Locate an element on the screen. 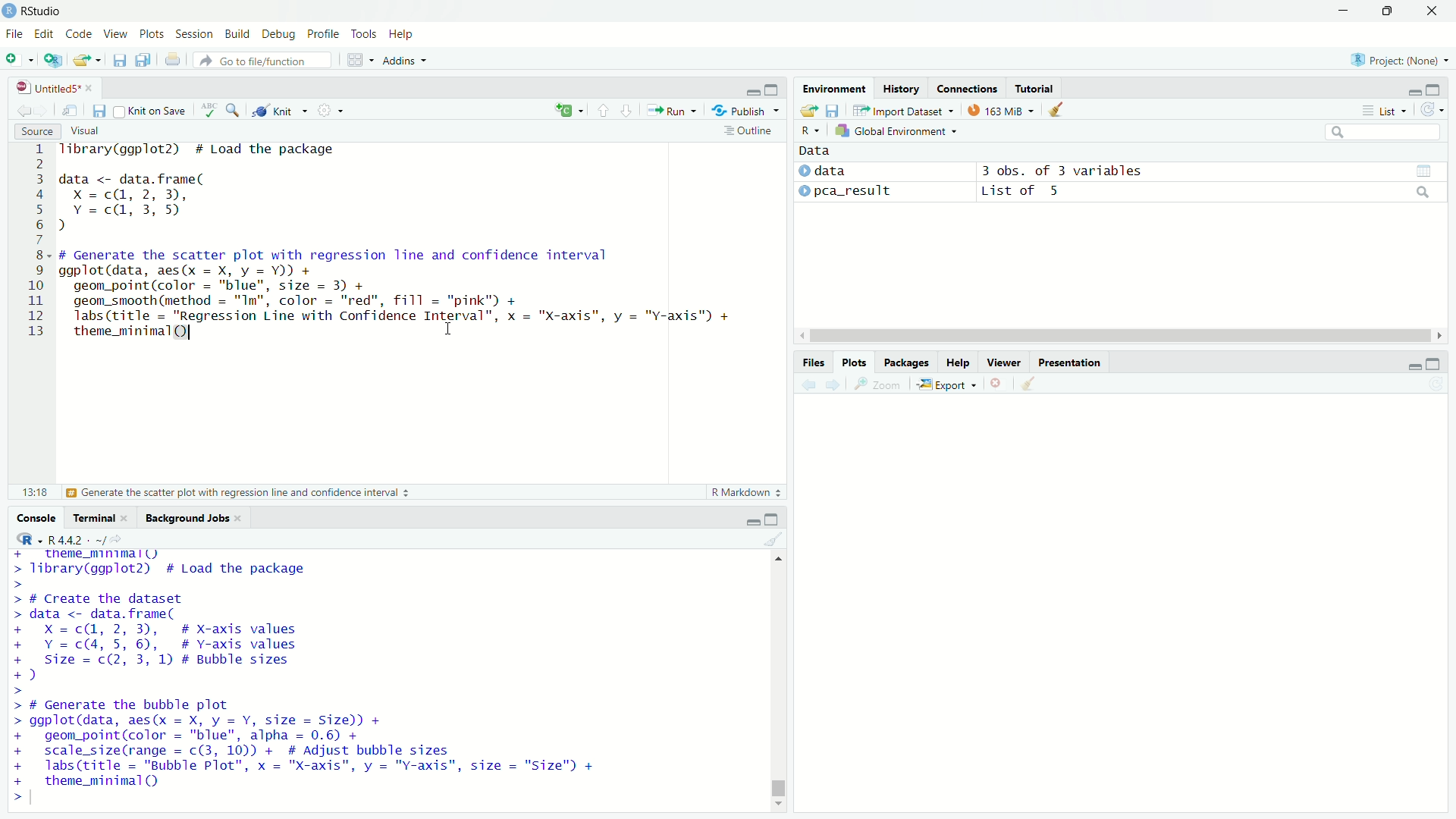 The height and width of the screenshot is (819, 1456). RStudio is located at coordinates (33, 11).